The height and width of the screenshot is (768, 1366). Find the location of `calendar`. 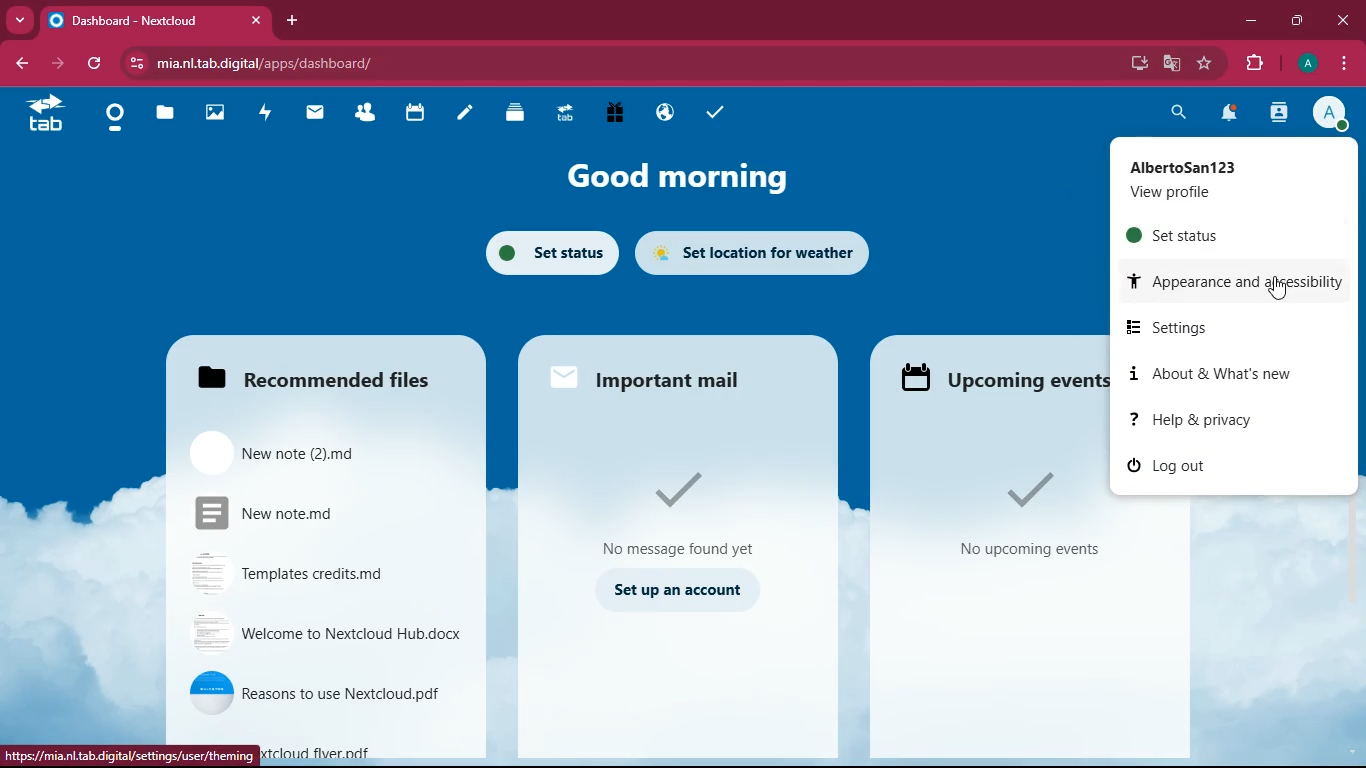

calendar is located at coordinates (416, 115).